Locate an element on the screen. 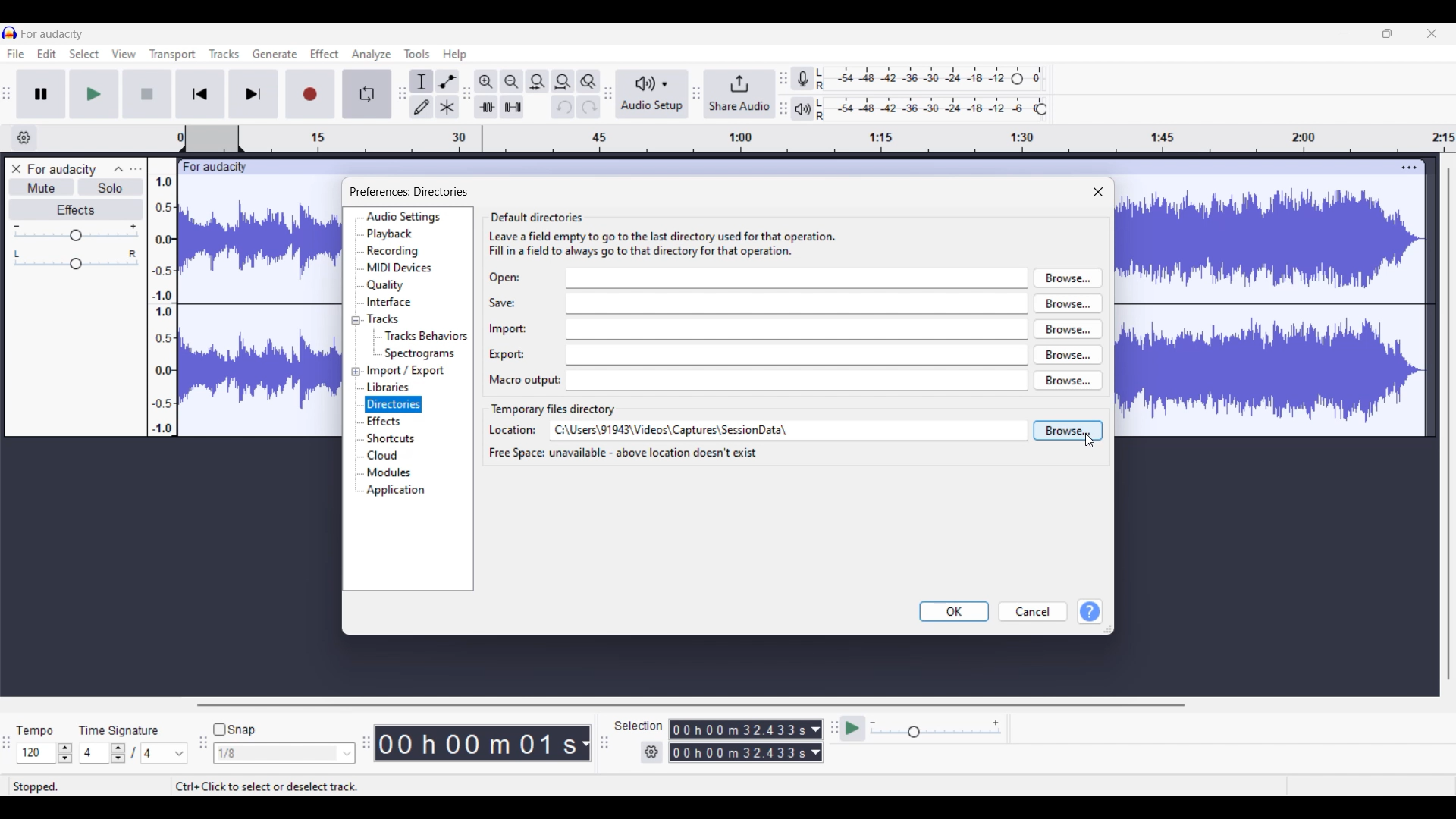 This screenshot has height=819, width=1456. Skip/Select to start is located at coordinates (200, 94).